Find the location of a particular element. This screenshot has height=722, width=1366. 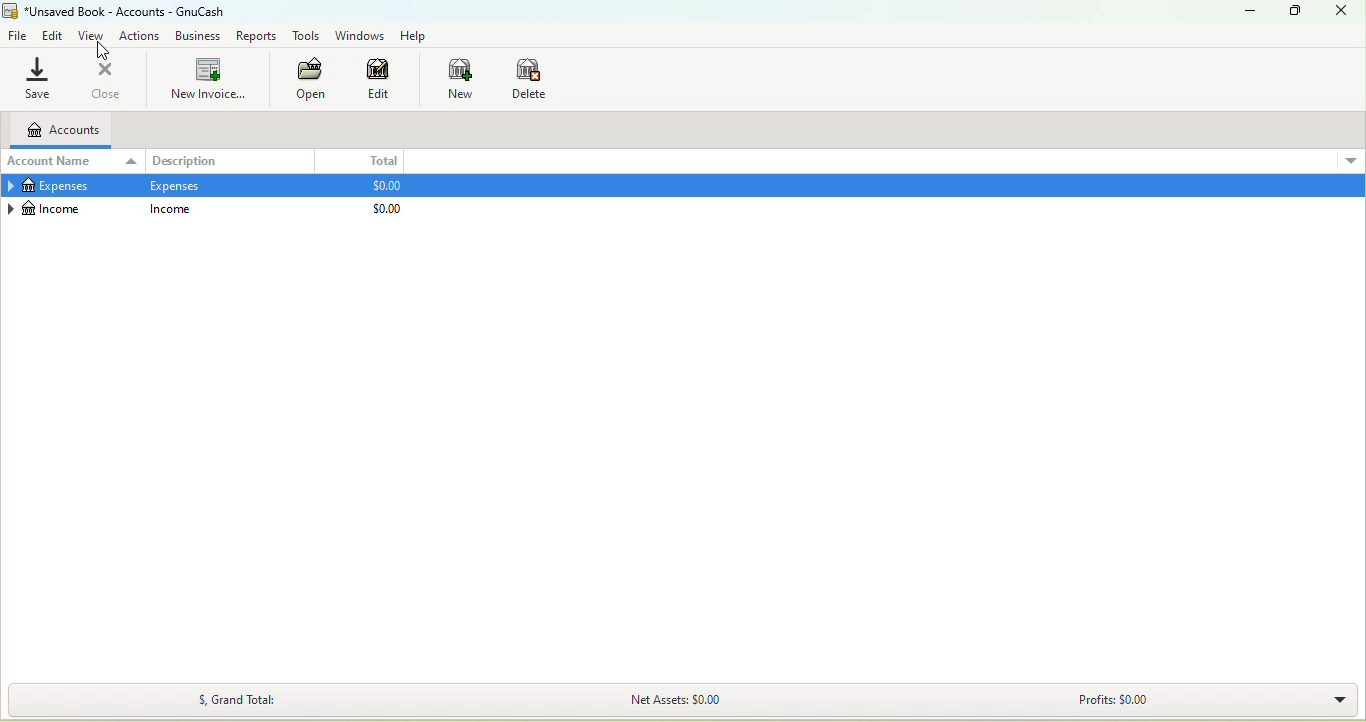

Delete is located at coordinates (530, 78).